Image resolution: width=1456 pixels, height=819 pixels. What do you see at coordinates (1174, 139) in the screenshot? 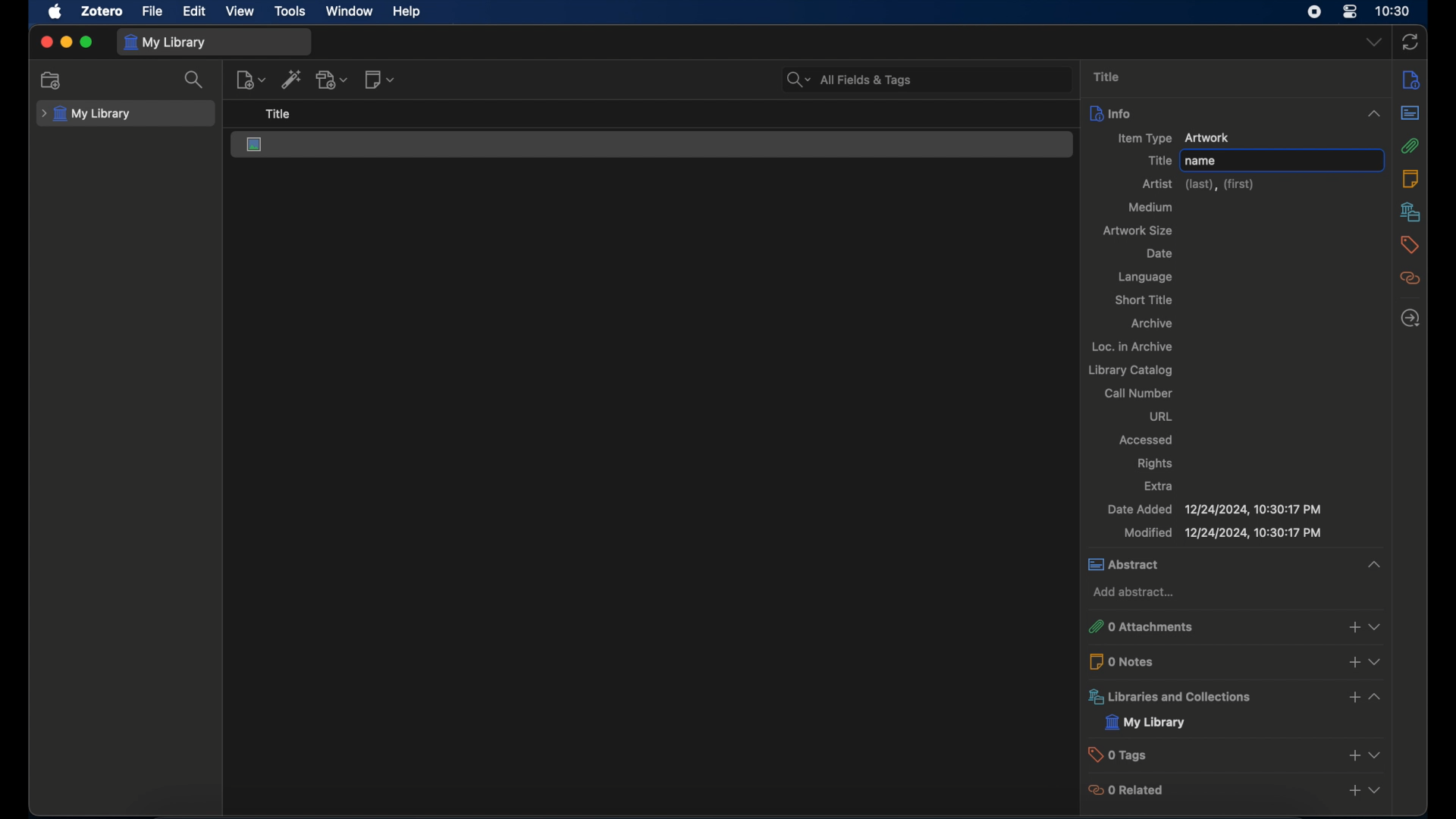
I see `new item artwork` at bounding box center [1174, 139].